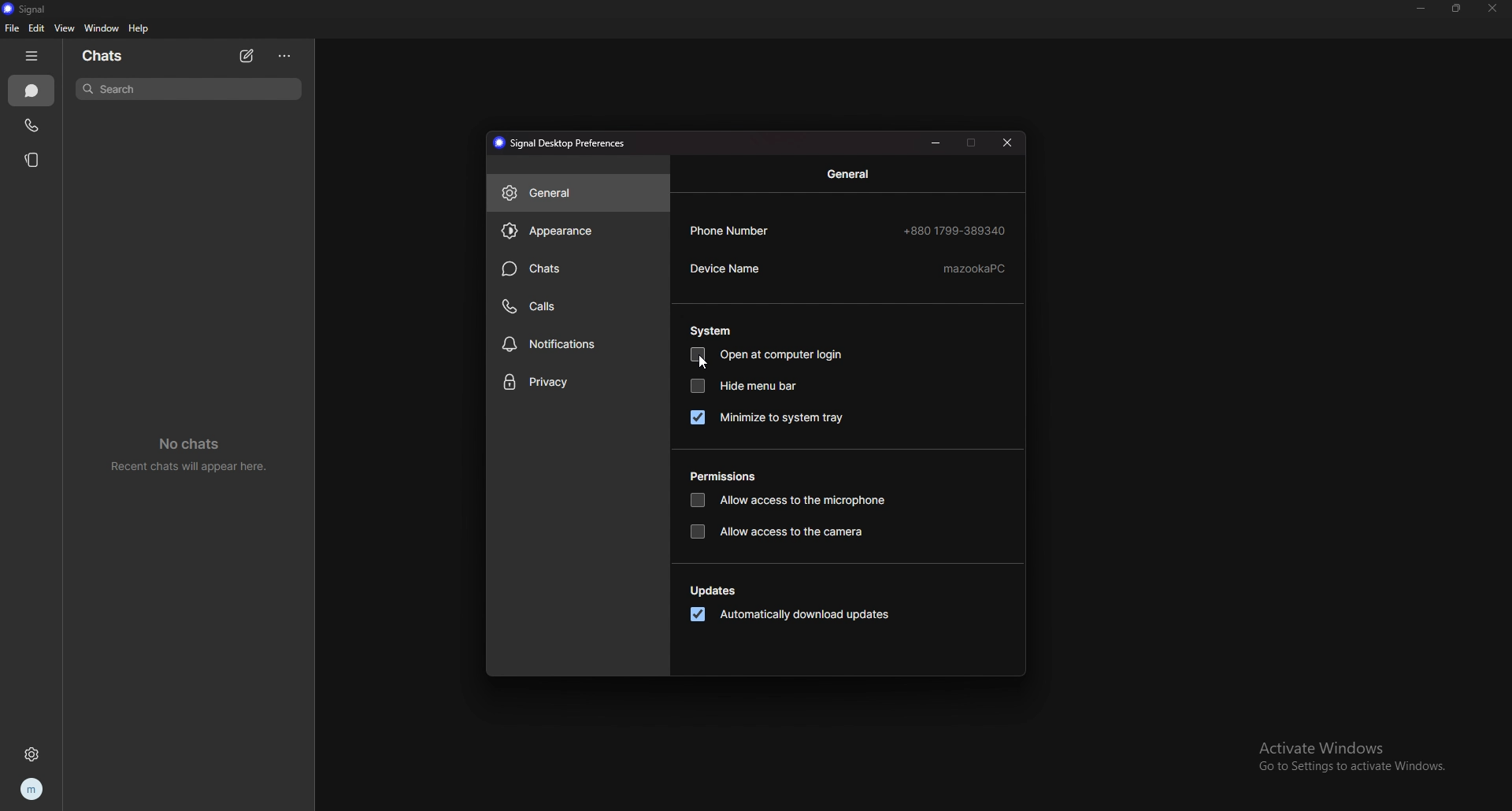 The image size is (1512, 811). I want to click on open at computer login, so click(769, 355).